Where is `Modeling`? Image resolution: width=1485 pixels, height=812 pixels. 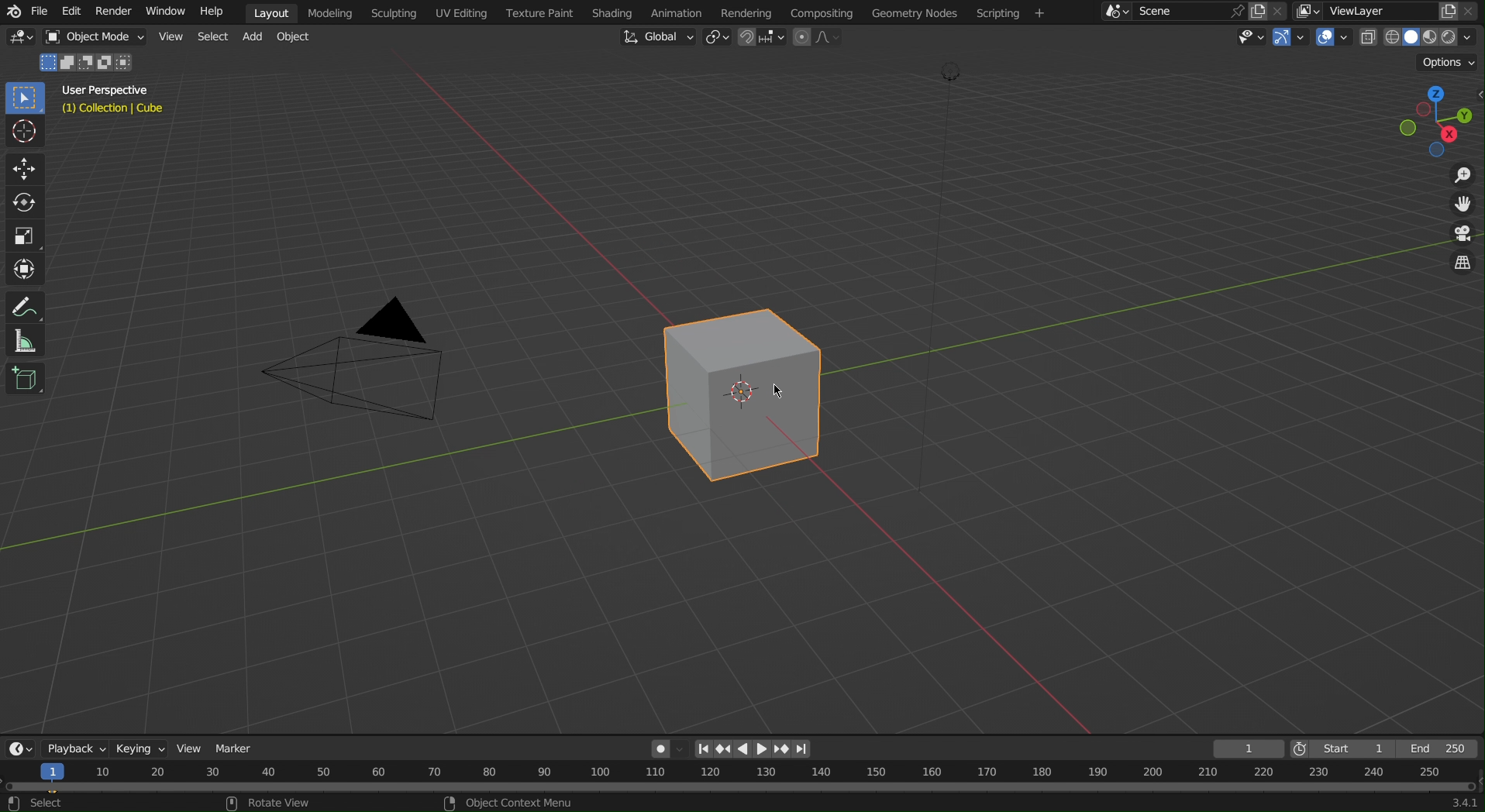
Modeling is located at coordinates (326, 12).